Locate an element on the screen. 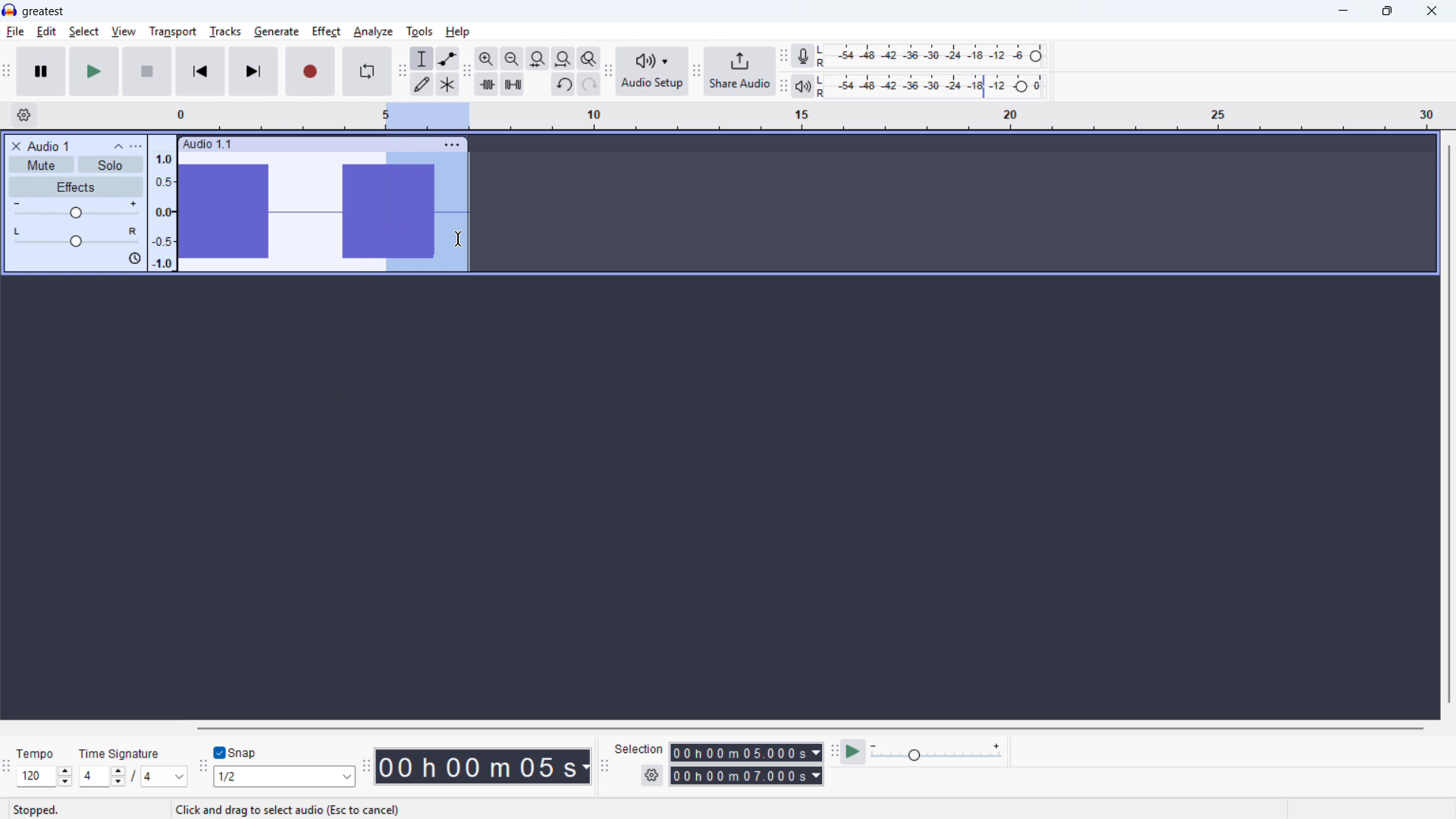 This screenshot has height=819, width=1456. Play back speed  is located at coordinates (939, 752).